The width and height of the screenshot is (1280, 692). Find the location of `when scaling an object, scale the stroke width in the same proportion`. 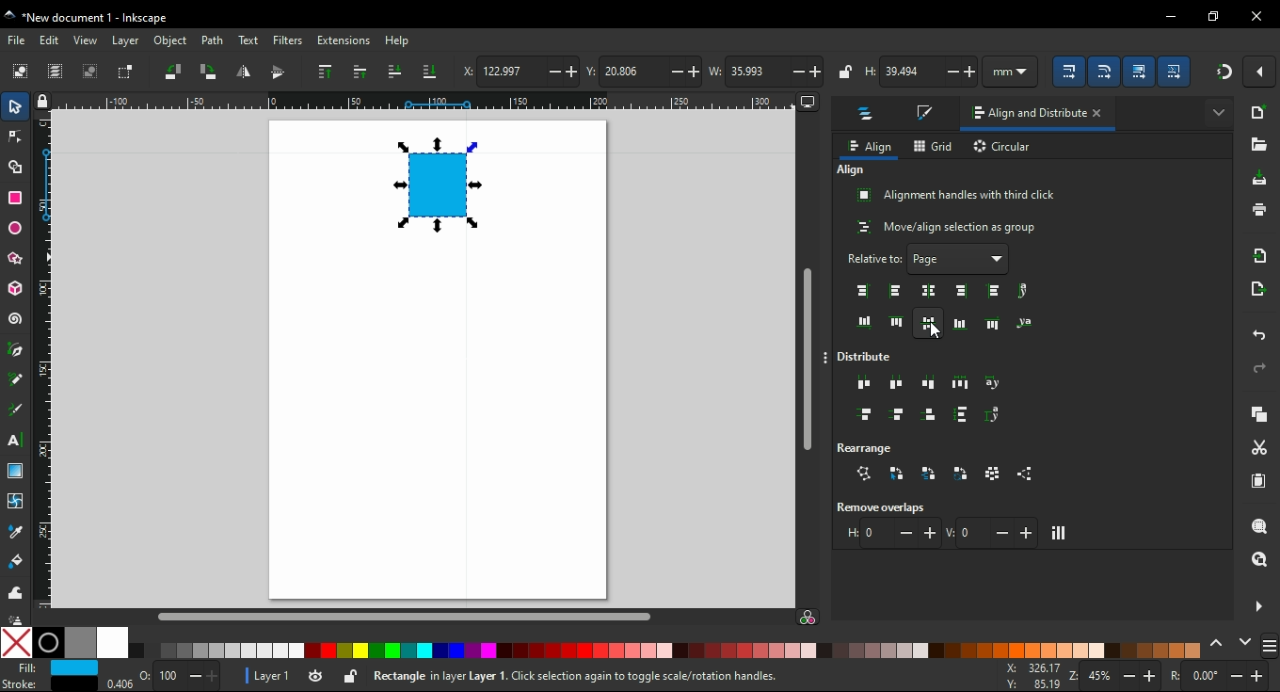

when scaling an object, scale the stroke width in the same proportion is located at coordinates (1072, 71).